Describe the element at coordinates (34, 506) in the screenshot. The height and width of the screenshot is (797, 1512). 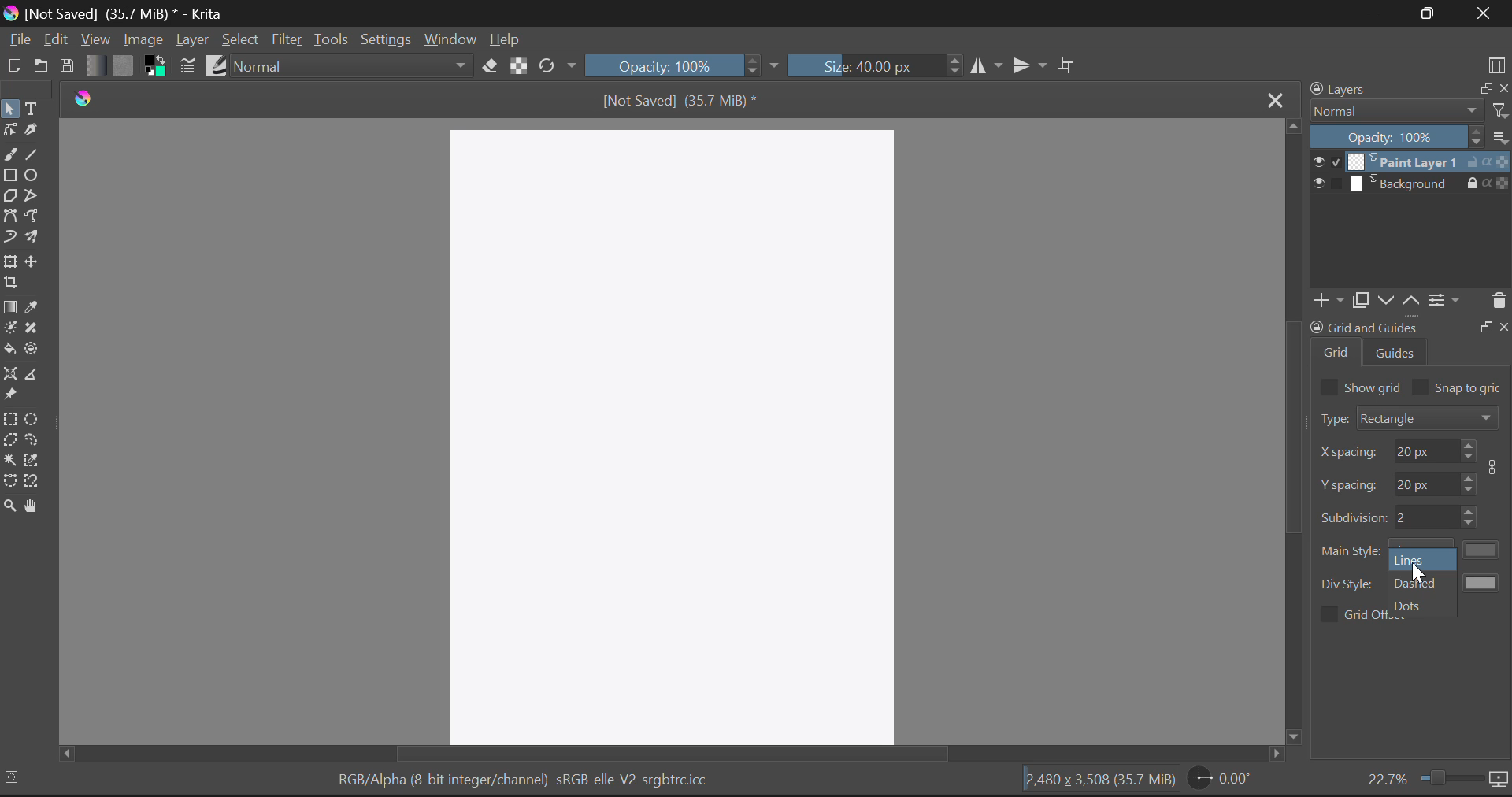
I see `Pan` at that location.